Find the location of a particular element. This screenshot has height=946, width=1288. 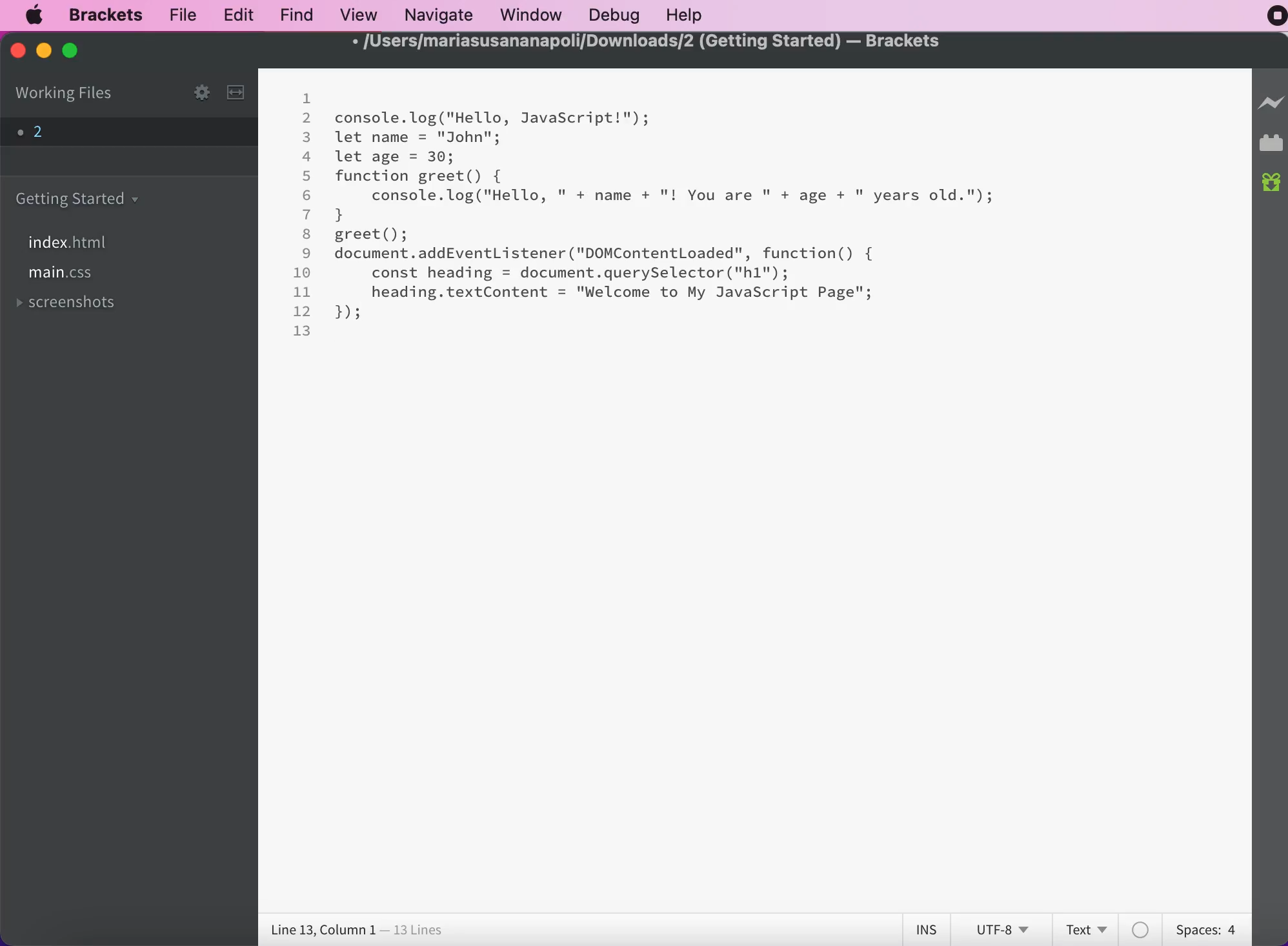

12 is located at coordinates (302, 311).